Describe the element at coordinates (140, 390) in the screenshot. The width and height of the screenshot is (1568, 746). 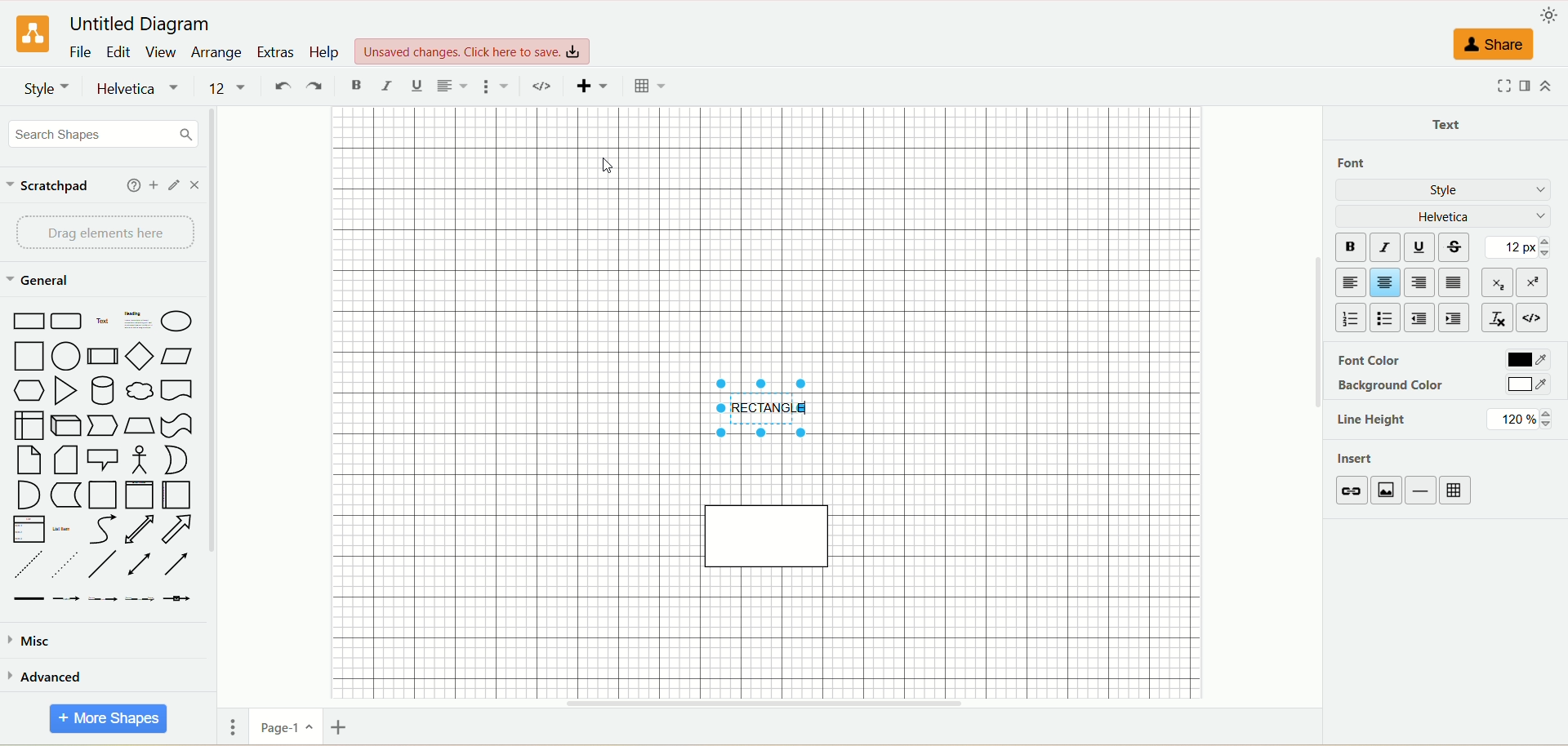
I see `cloud` at that location.